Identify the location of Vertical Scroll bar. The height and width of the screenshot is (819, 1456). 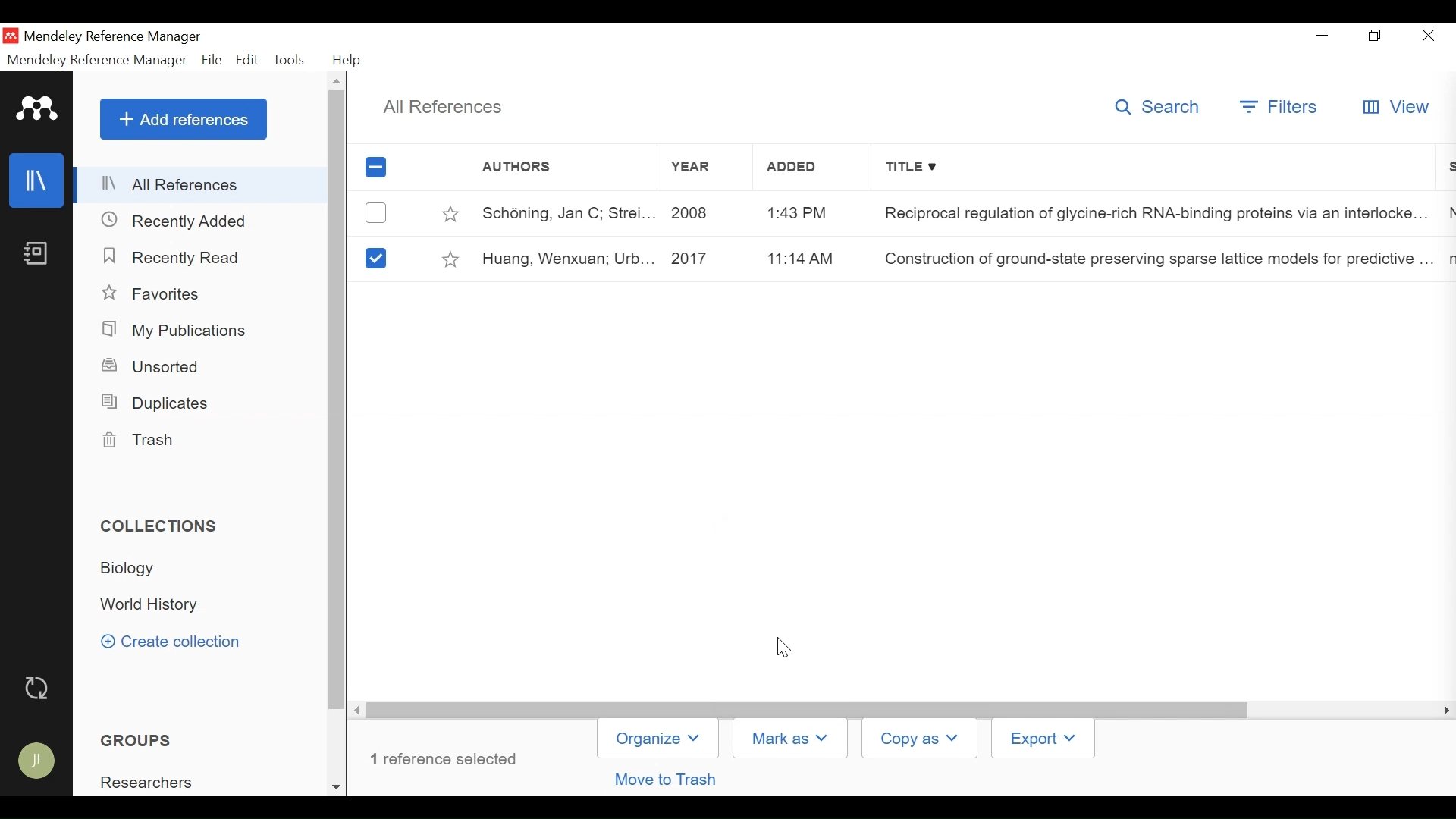
(338, 401).